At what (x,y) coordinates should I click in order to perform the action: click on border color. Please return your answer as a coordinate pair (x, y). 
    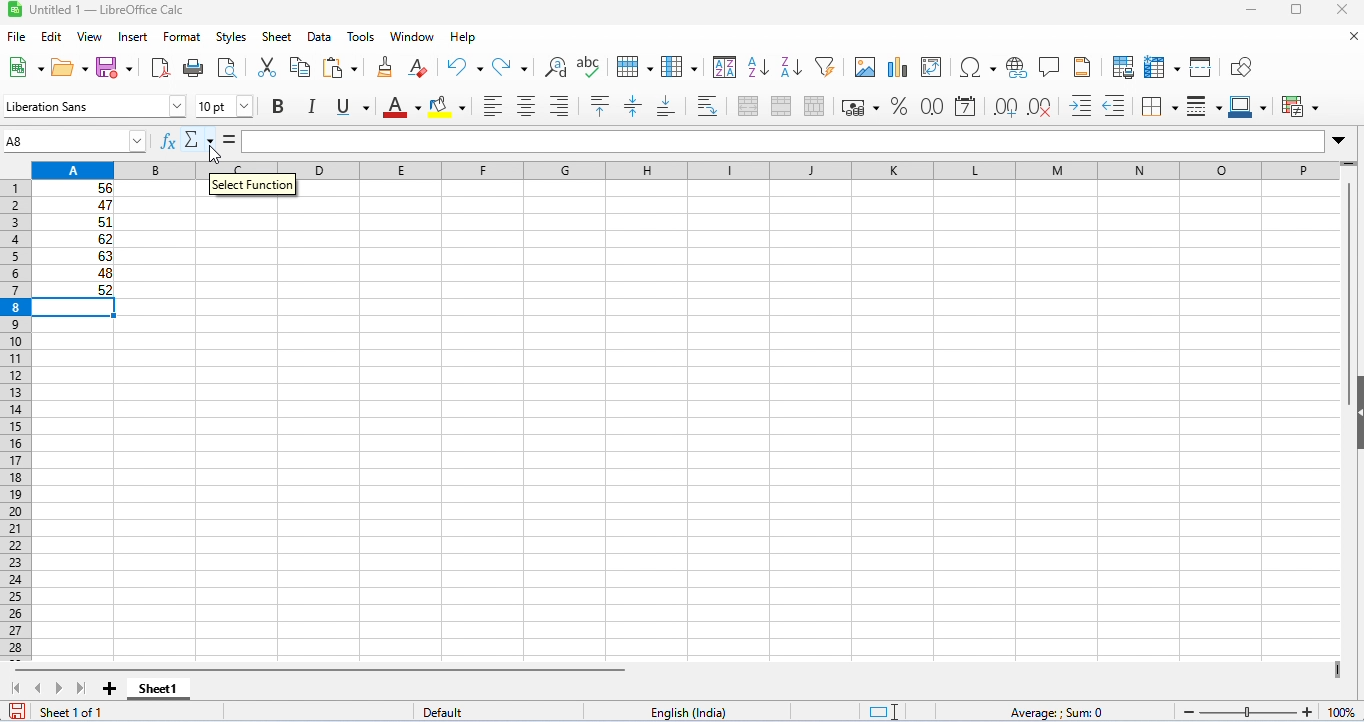
    Looking at the image, I should click on (1251, 106).